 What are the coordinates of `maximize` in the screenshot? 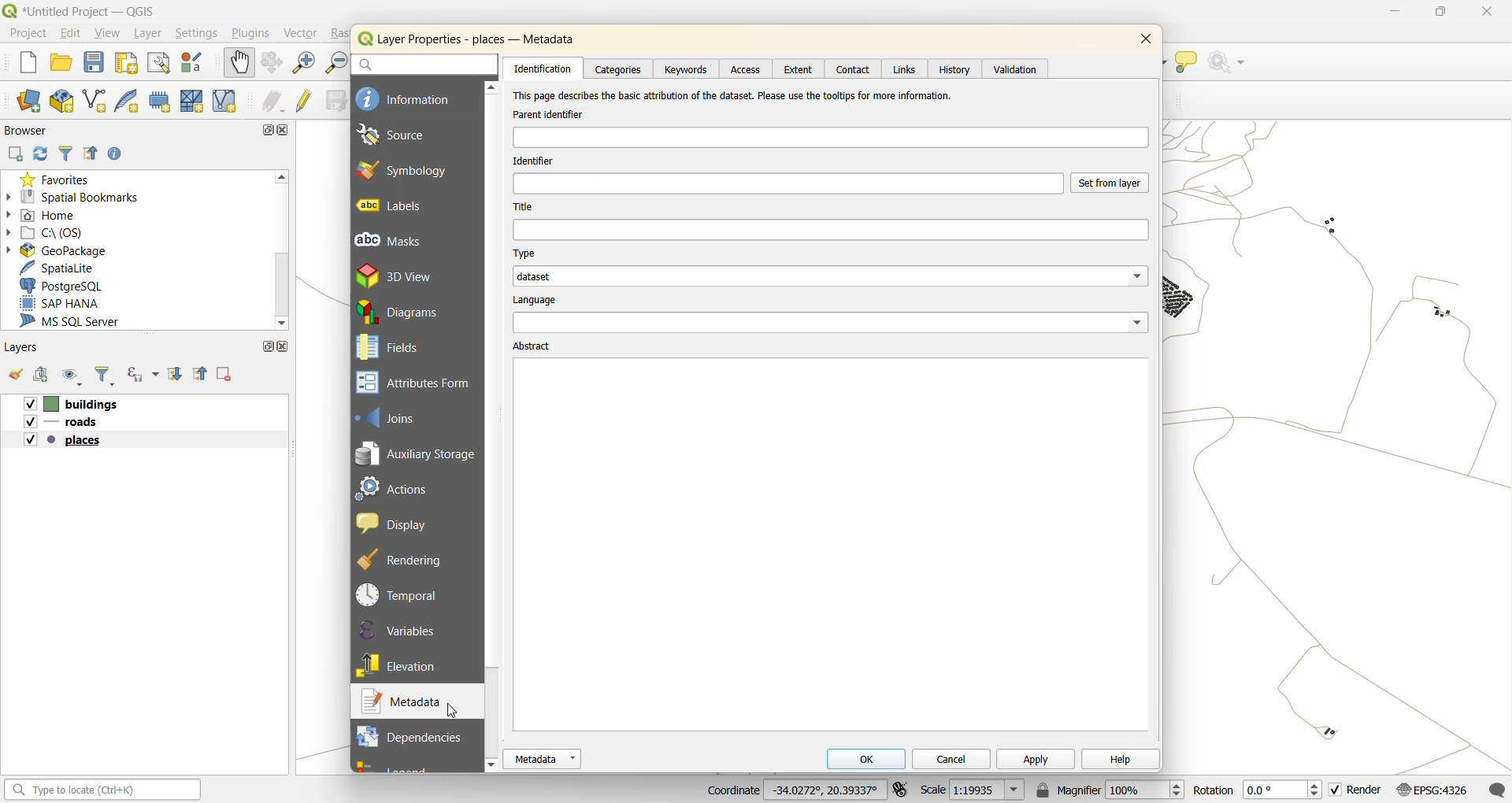 It's located at (1440, 13).